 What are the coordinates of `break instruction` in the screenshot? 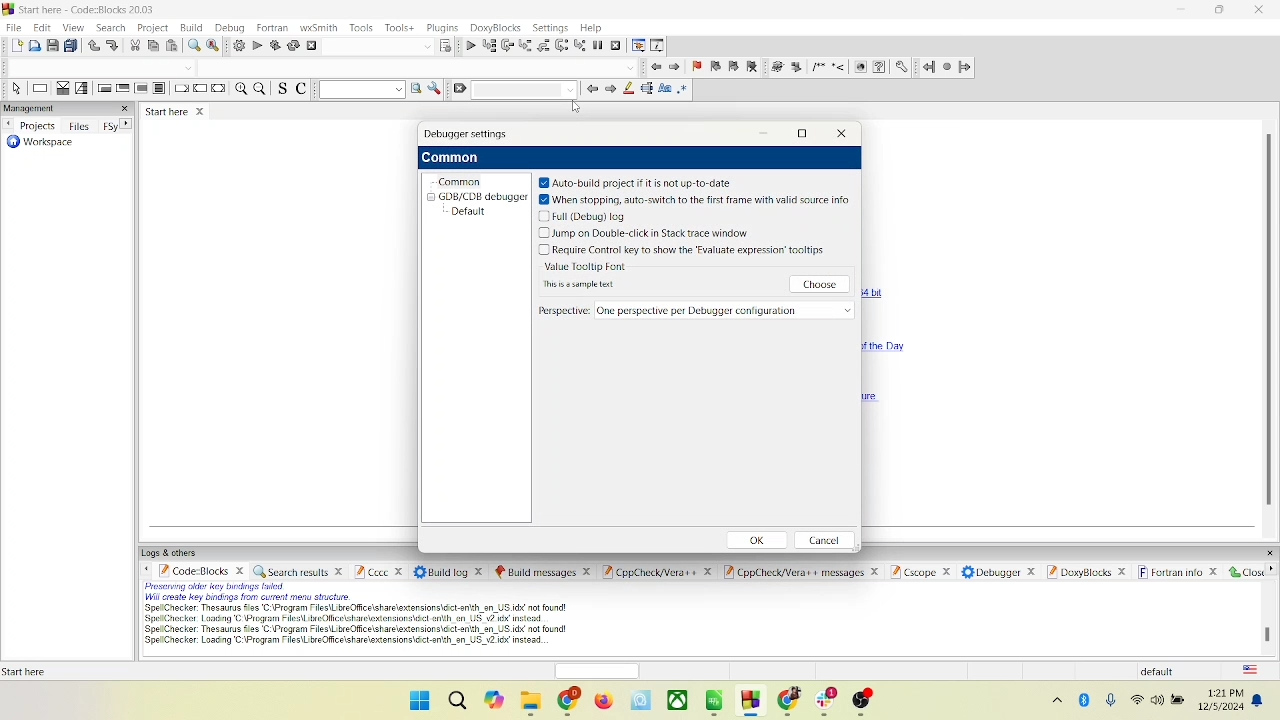 It's located at (181, 88).